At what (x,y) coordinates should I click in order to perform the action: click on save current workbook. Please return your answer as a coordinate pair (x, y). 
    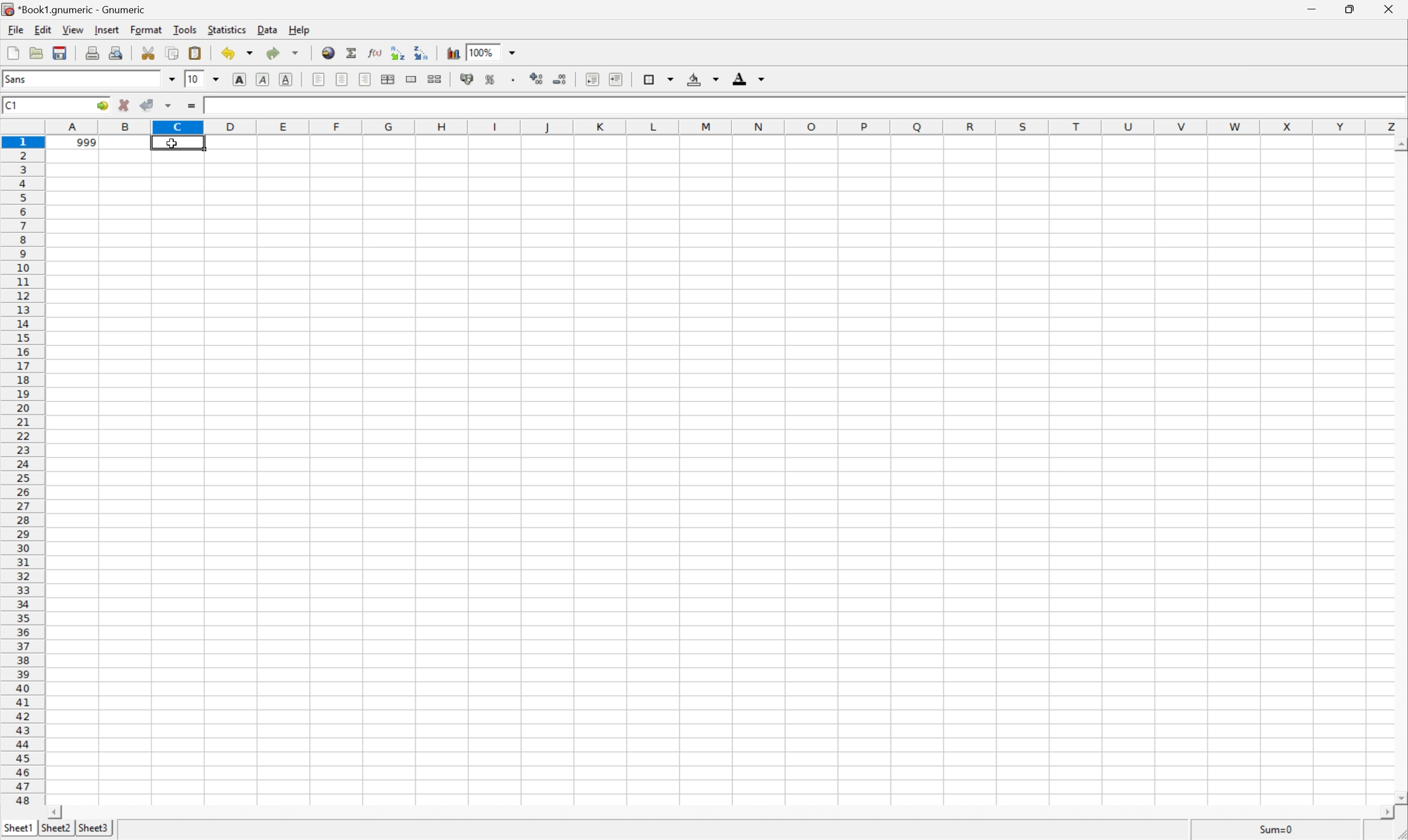
    Looking at the image, I should click on (60, 52).